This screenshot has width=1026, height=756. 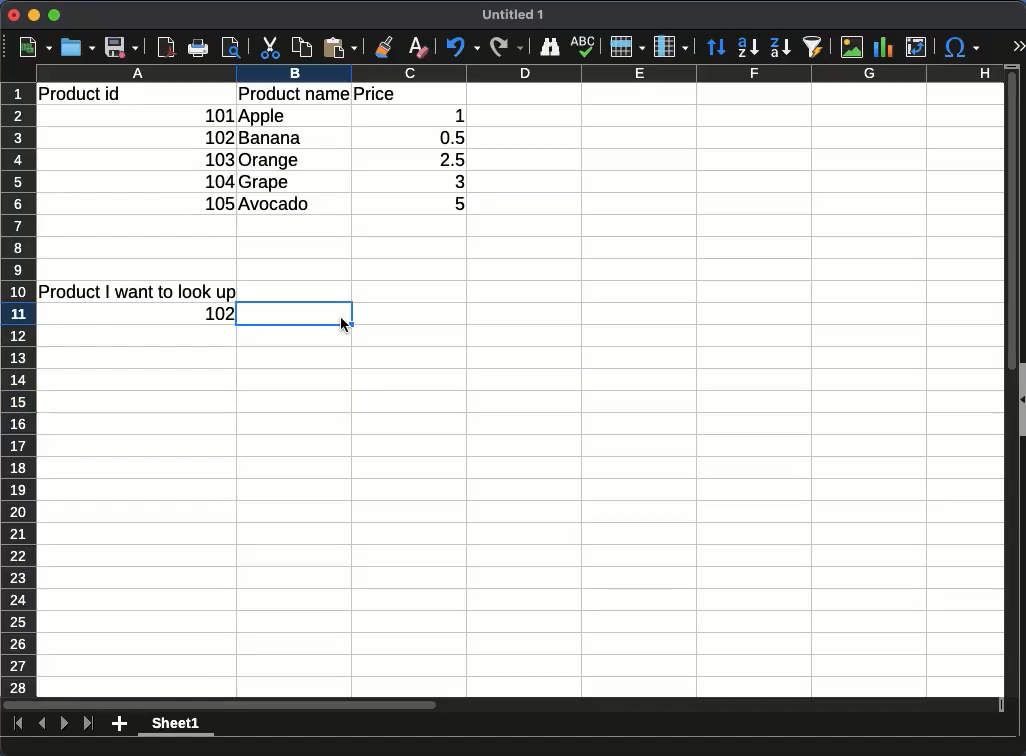 What do you see at coordinates (344, 326) in the screenshot?
I see `cursor` at bounding box center [344, 326].